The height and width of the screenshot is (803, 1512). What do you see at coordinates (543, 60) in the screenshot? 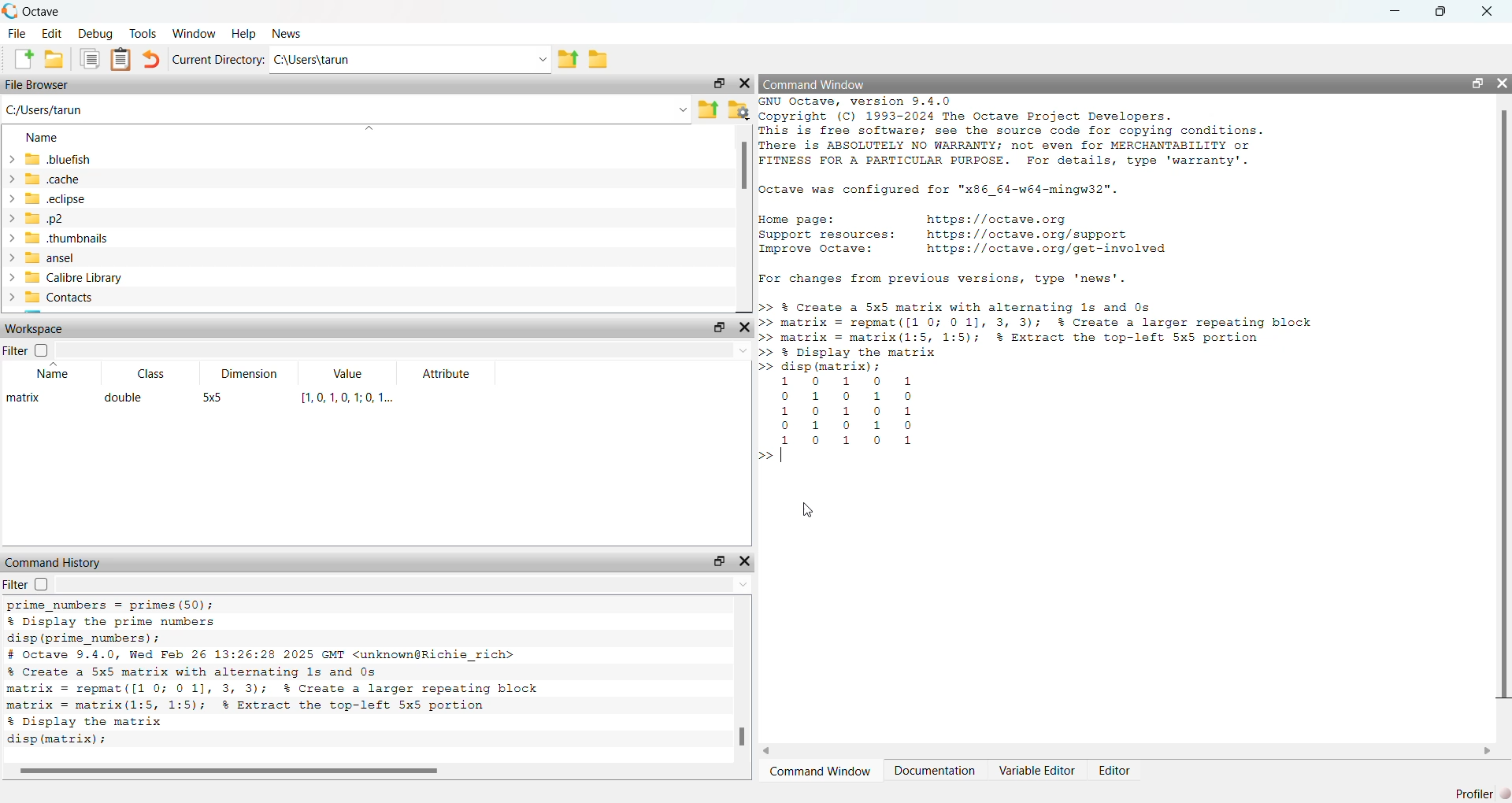
I see `Drop-down ` at bounding box center [543, 60].